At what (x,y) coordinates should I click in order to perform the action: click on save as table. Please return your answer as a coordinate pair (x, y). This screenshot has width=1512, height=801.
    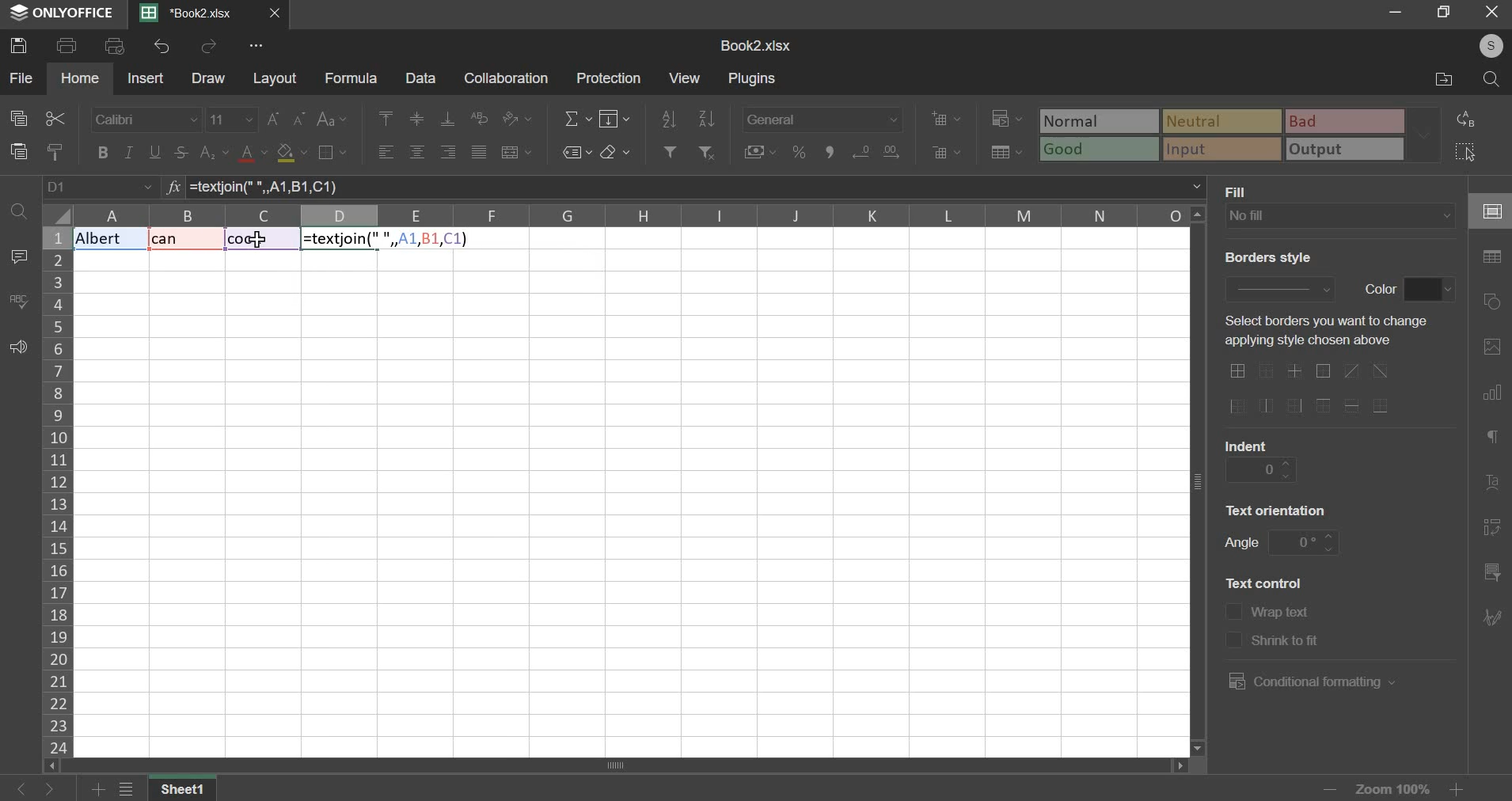
    Looking at the image, I should click on (1008, 153).